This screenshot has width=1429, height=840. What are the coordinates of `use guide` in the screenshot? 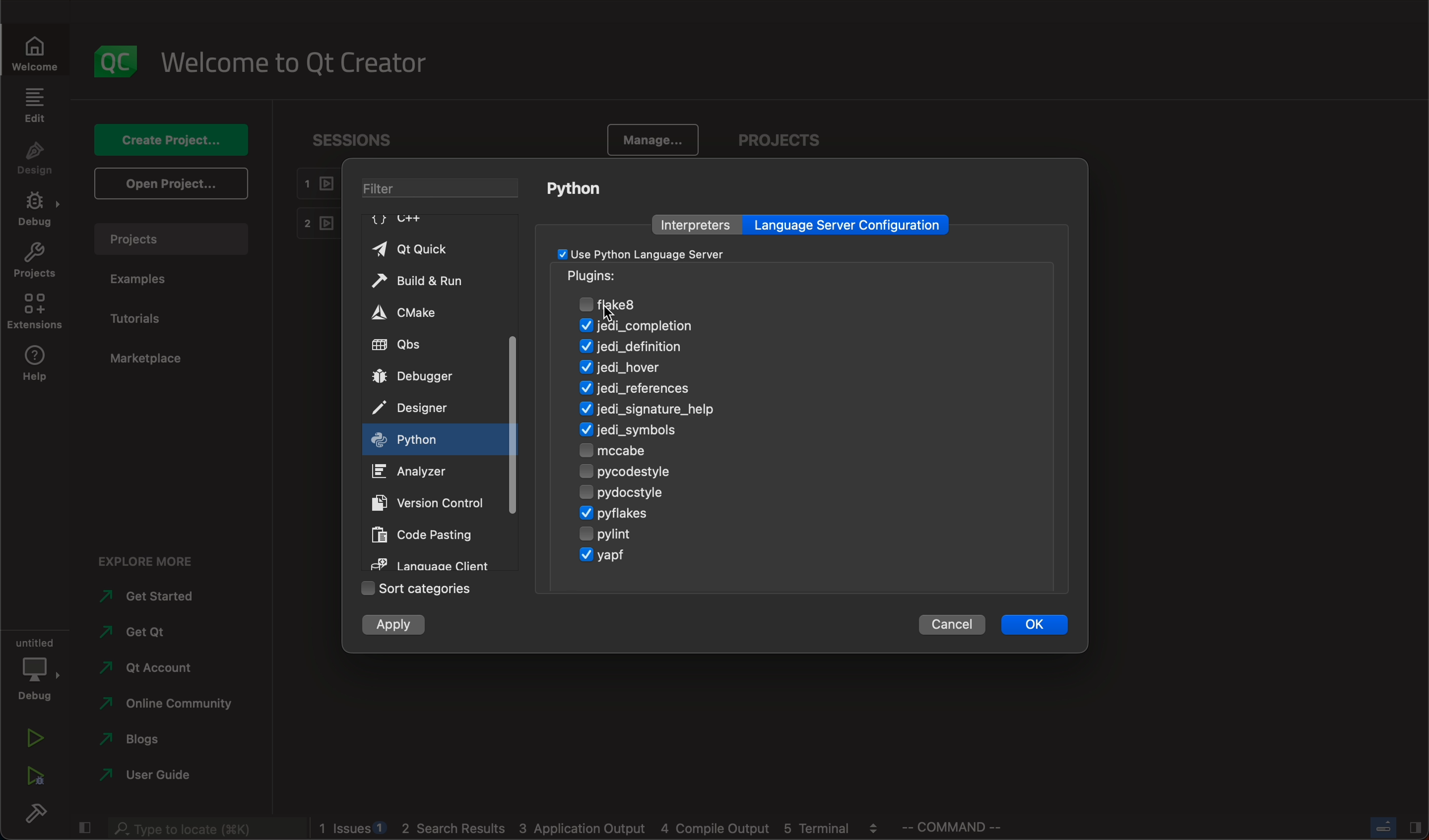 It's located at (148, 776).